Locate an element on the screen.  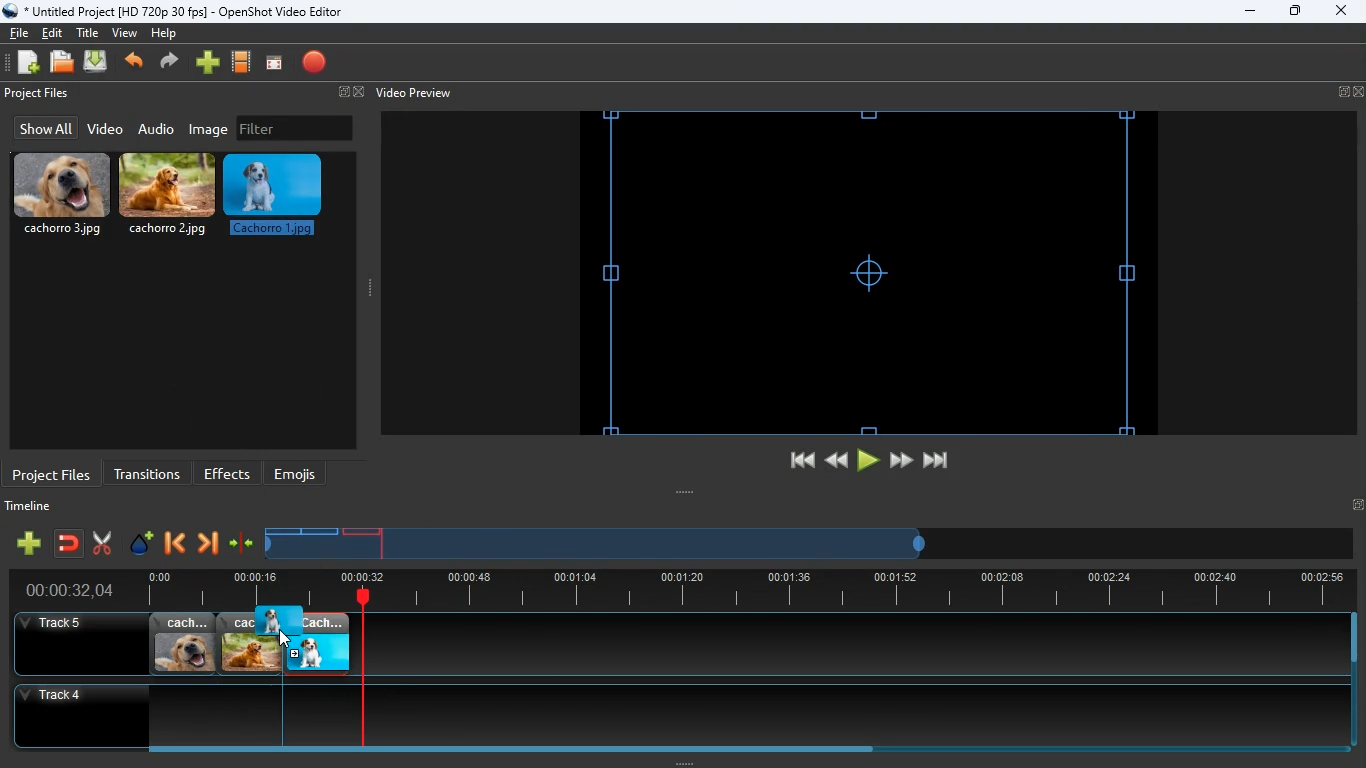
back is located at coordinates (173, 545).